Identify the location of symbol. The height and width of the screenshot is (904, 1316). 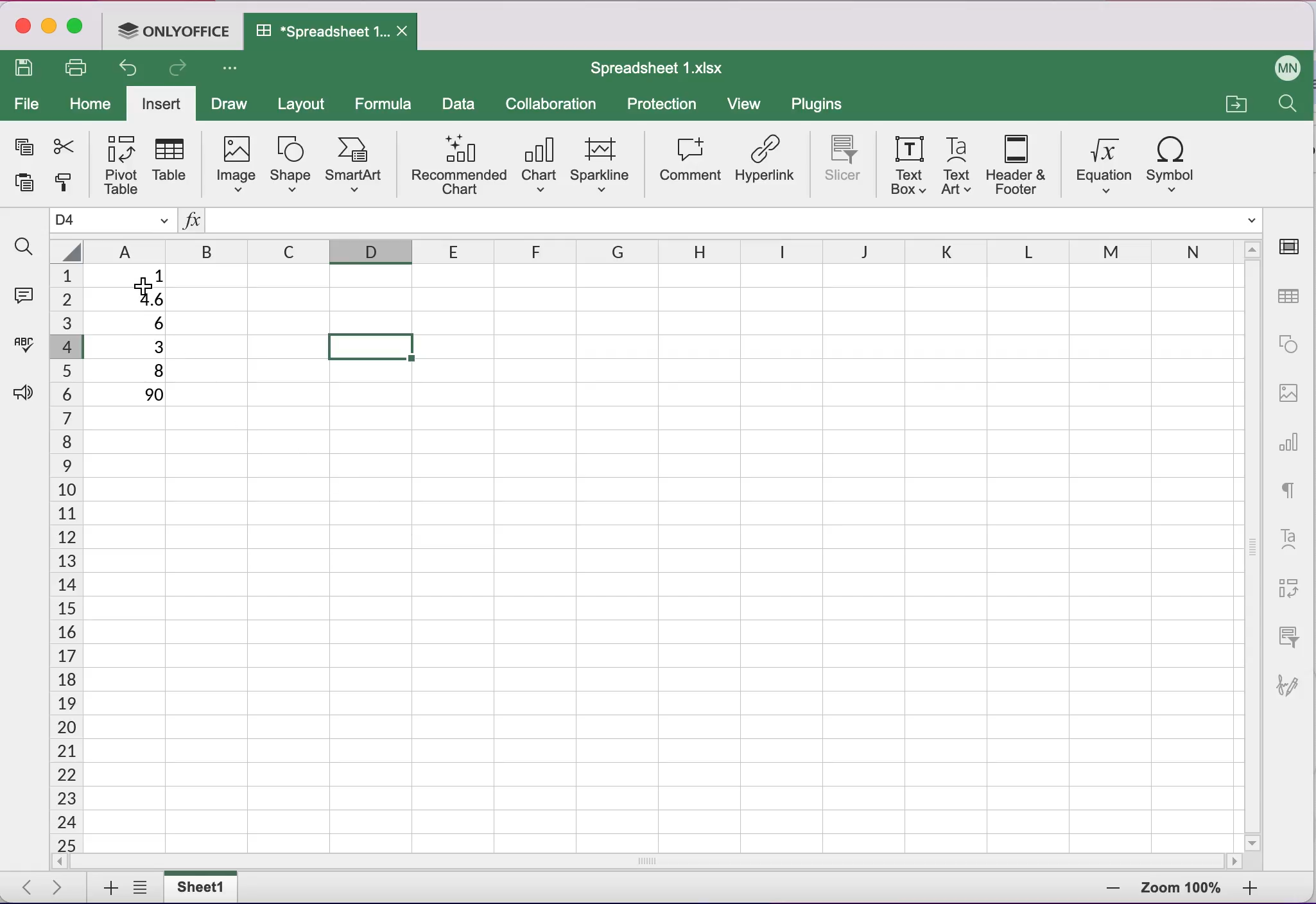
(1175, 164).